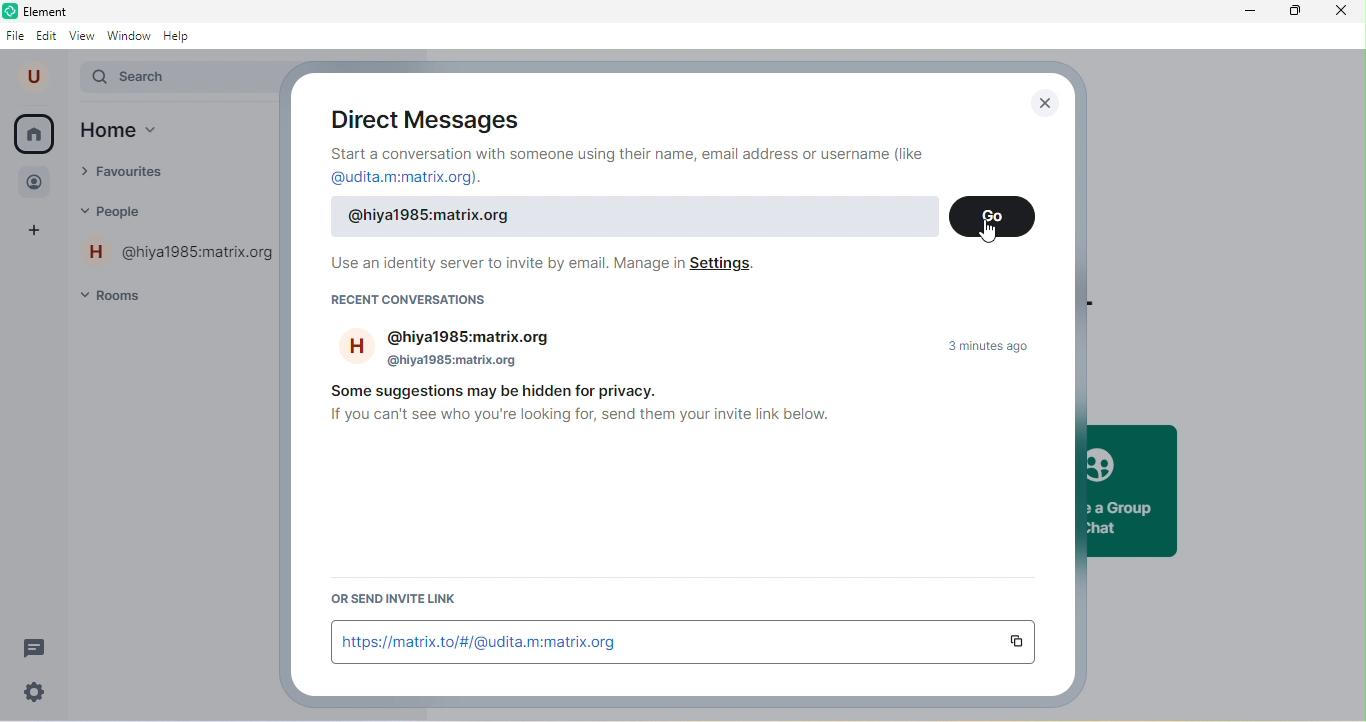 This screenshot has width=1366, height=722. Describe the element at coordinates (1045, 103) in the screenshot. I see `close` at that location.